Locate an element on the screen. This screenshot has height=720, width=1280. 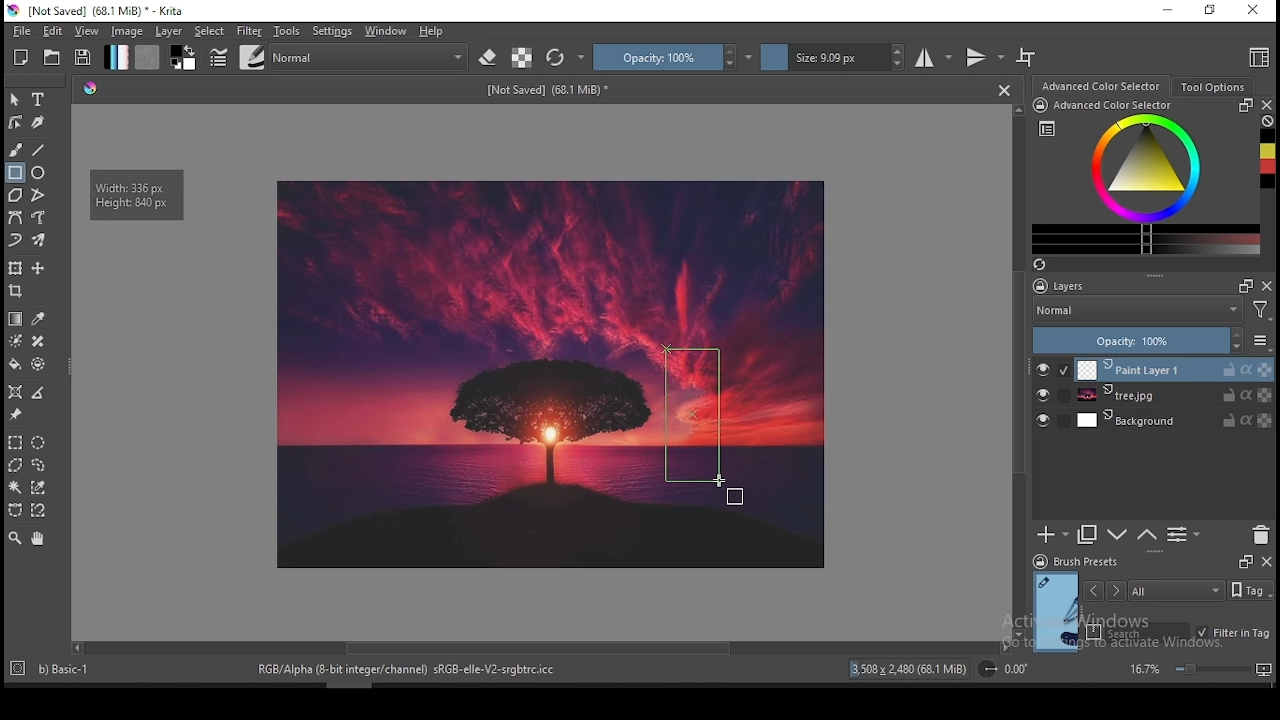
horizontal mirror tool is located at coordinates (935, 57).